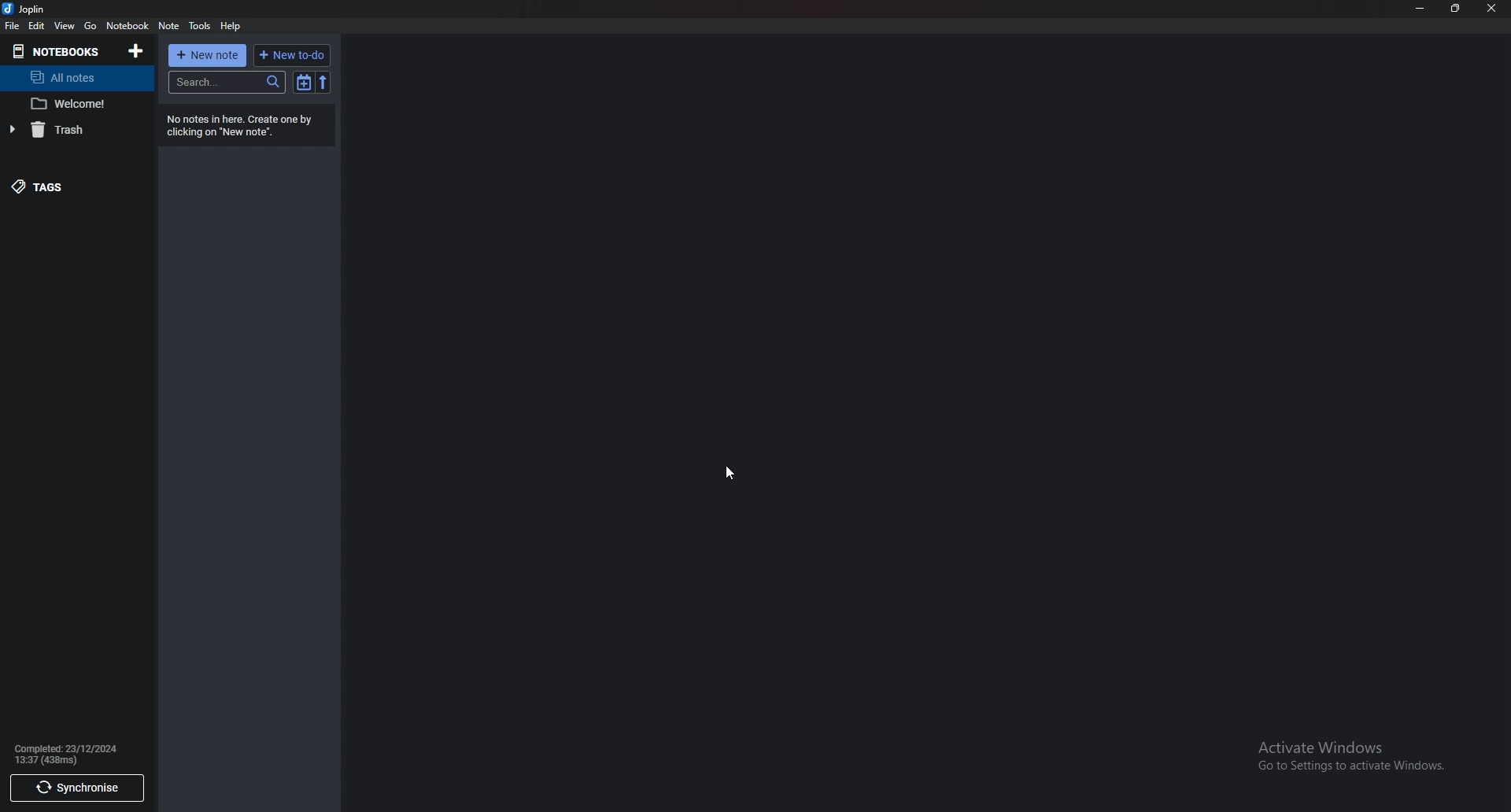 This screenshot has width=1511, height=812. What do you see at coordinates (129, 25) in the screenshot?
I see `Notebook` at bounding box center [129, 25].